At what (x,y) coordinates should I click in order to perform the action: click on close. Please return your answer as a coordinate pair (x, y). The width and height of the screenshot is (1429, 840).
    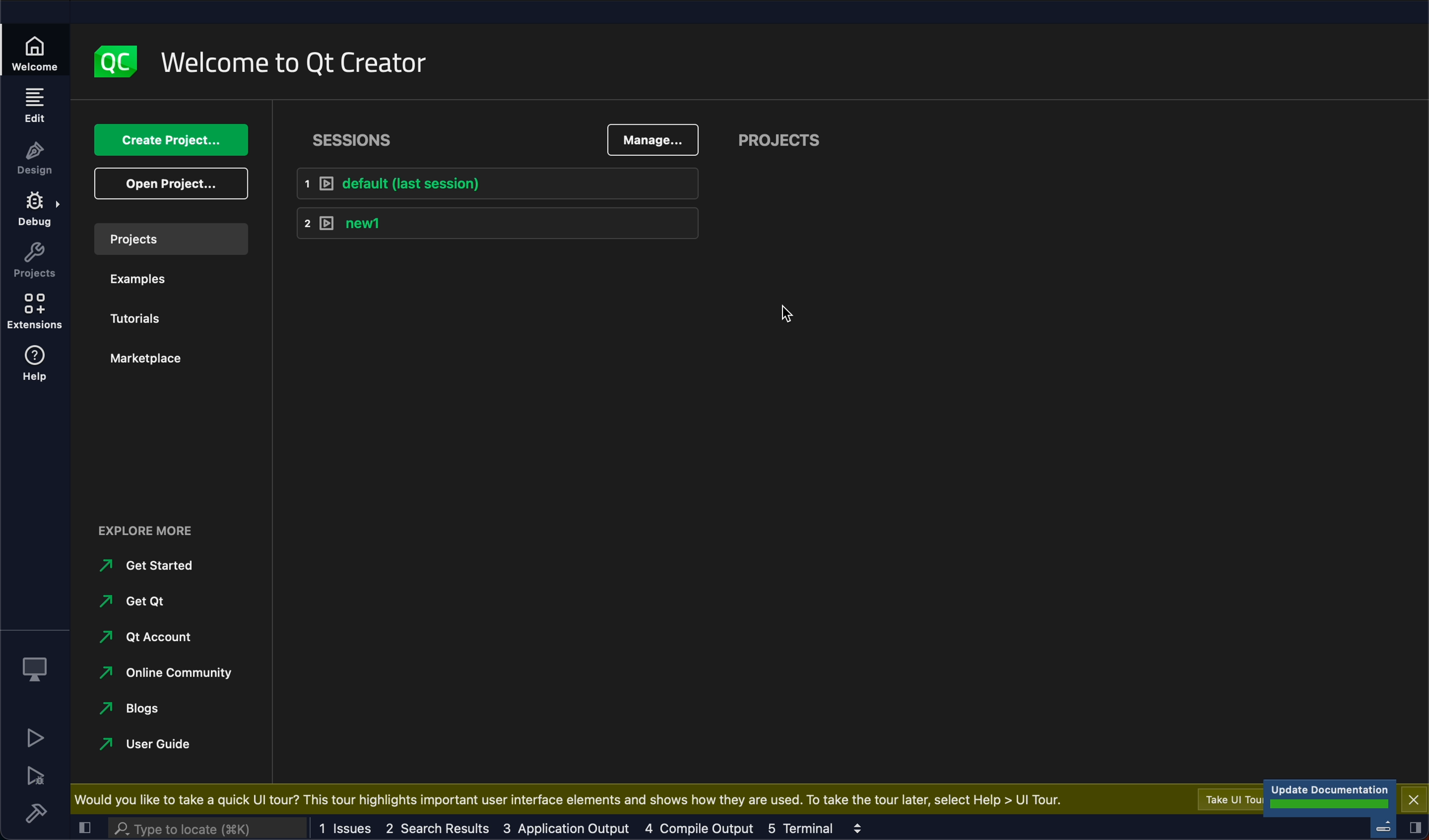
    Looking at the image, I should click on (1413, 797).